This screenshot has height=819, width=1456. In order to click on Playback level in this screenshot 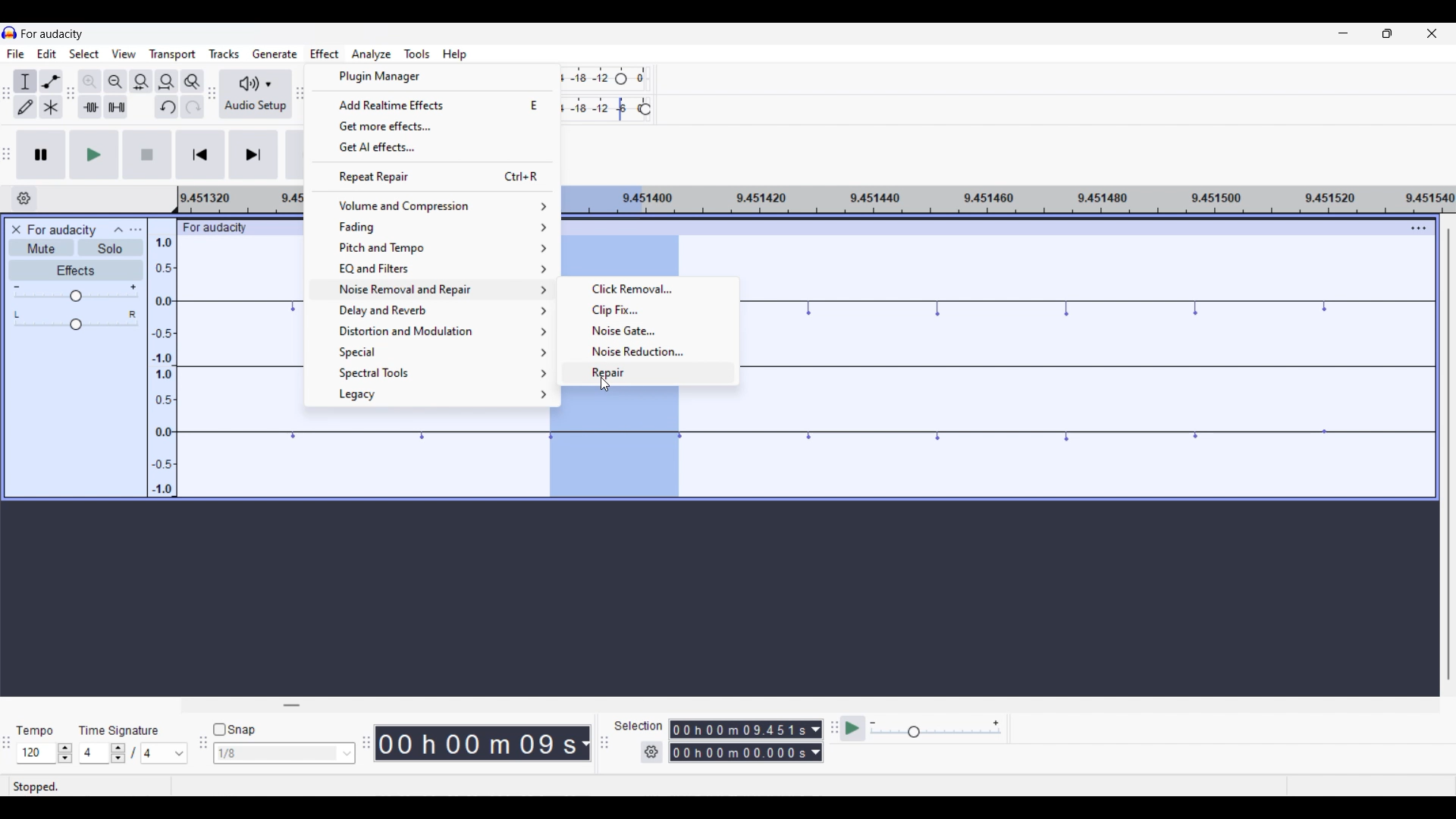, I will do `click(612, 107)`.